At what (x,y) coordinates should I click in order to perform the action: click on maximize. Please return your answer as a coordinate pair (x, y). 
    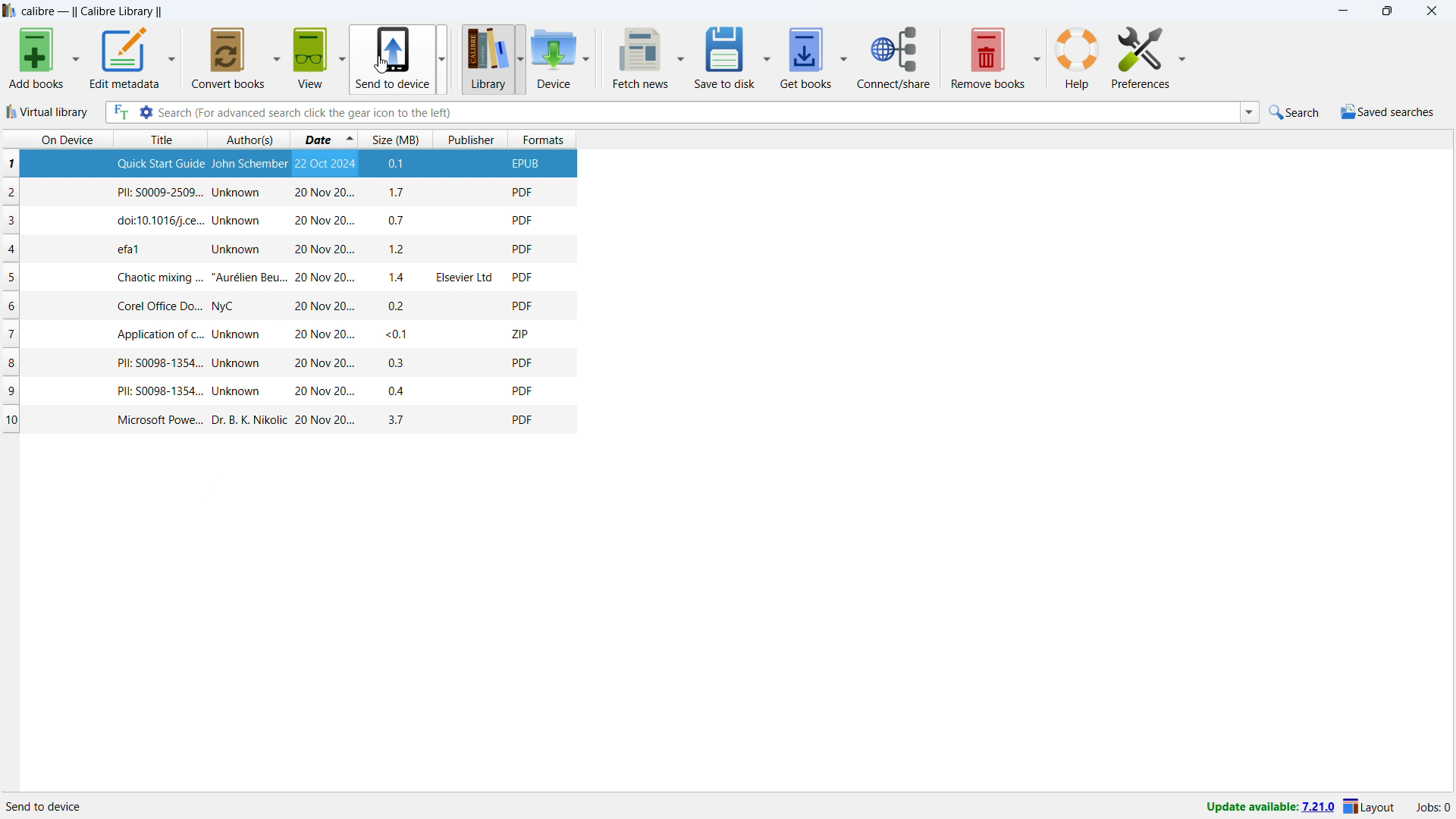
    Looking at the image, I should click on (1386, 11).